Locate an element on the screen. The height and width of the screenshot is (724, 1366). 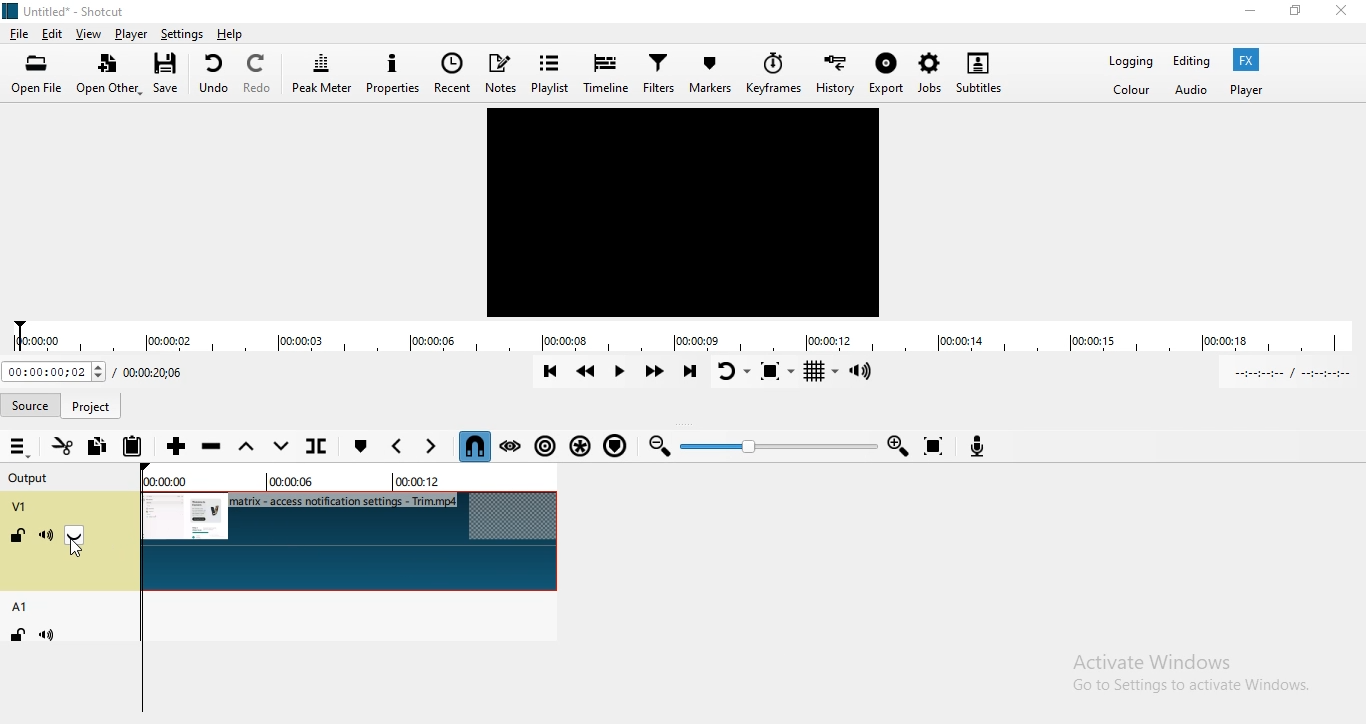
Cut is located at coordinates (61, 445).